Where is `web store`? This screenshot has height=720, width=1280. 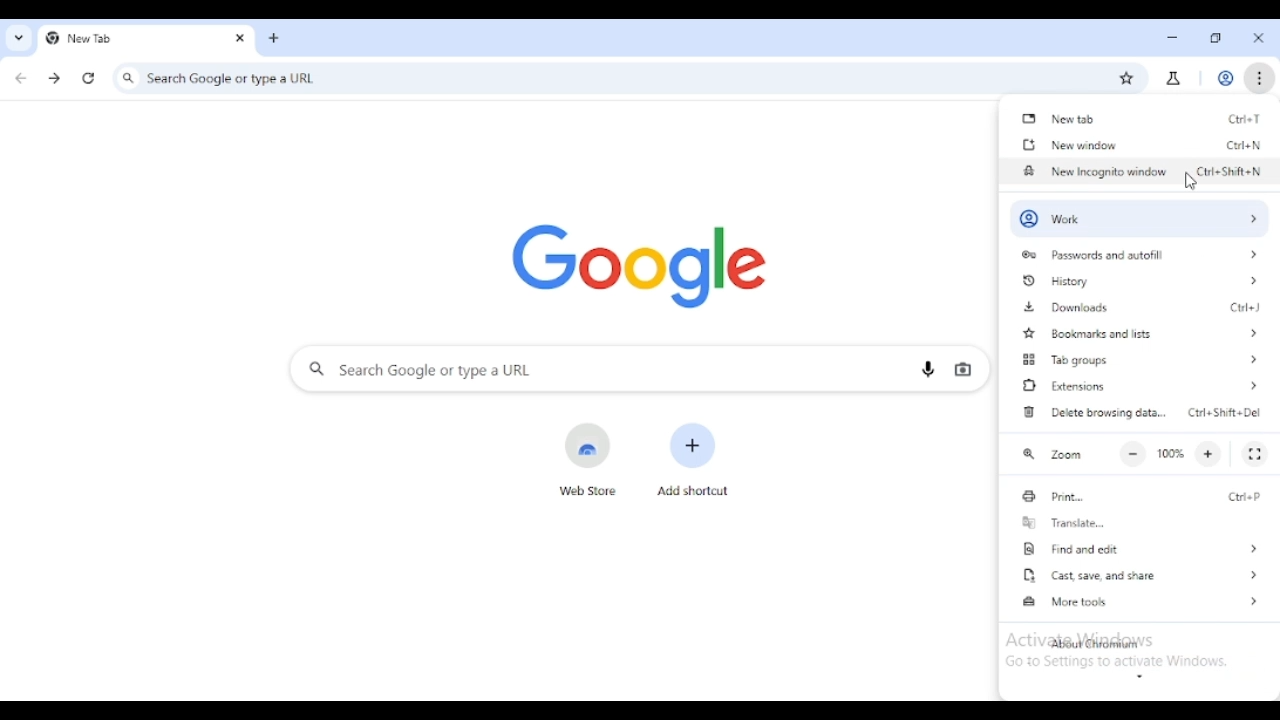
web store is located at coordinates (589, 460).